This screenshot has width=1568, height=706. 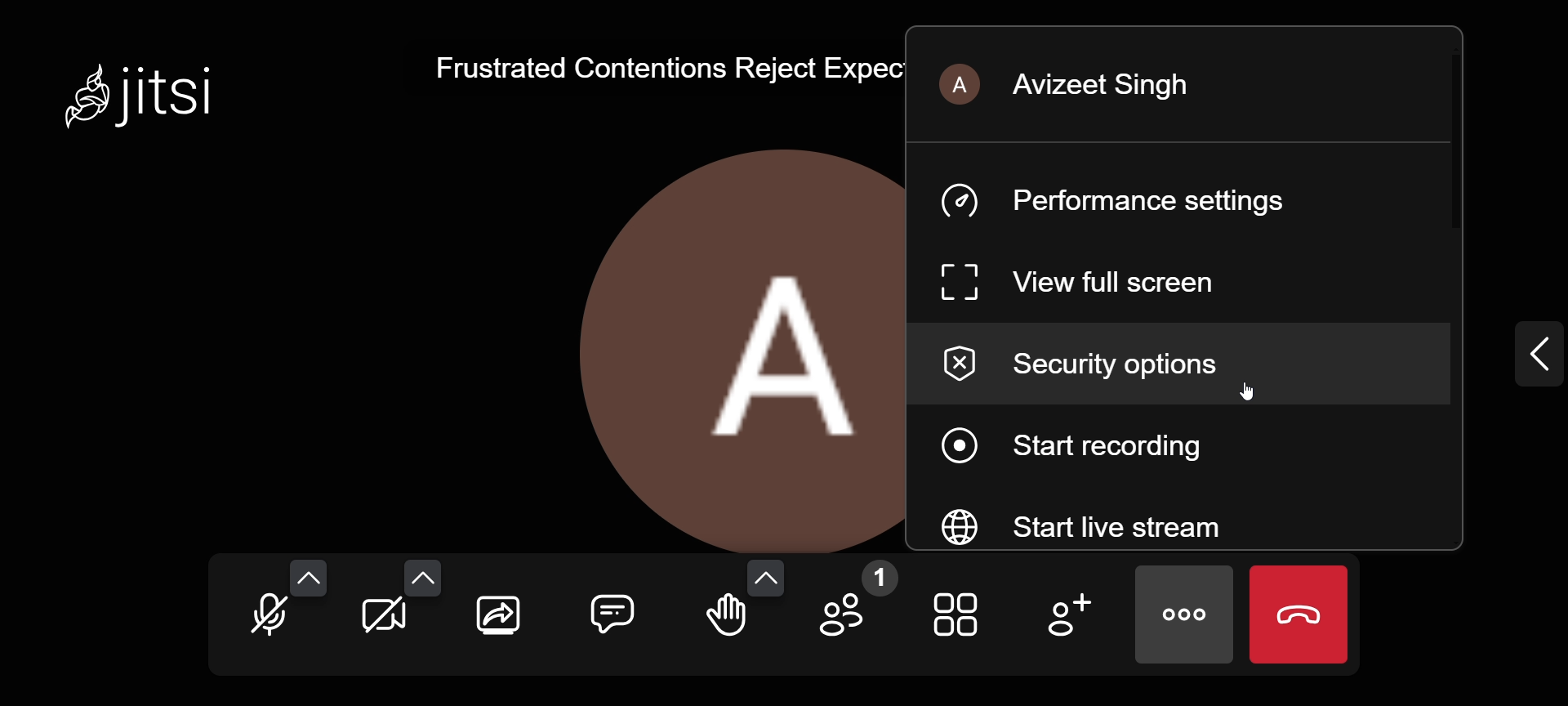 I want to click on Jitsi, so click(x=151, y=92).